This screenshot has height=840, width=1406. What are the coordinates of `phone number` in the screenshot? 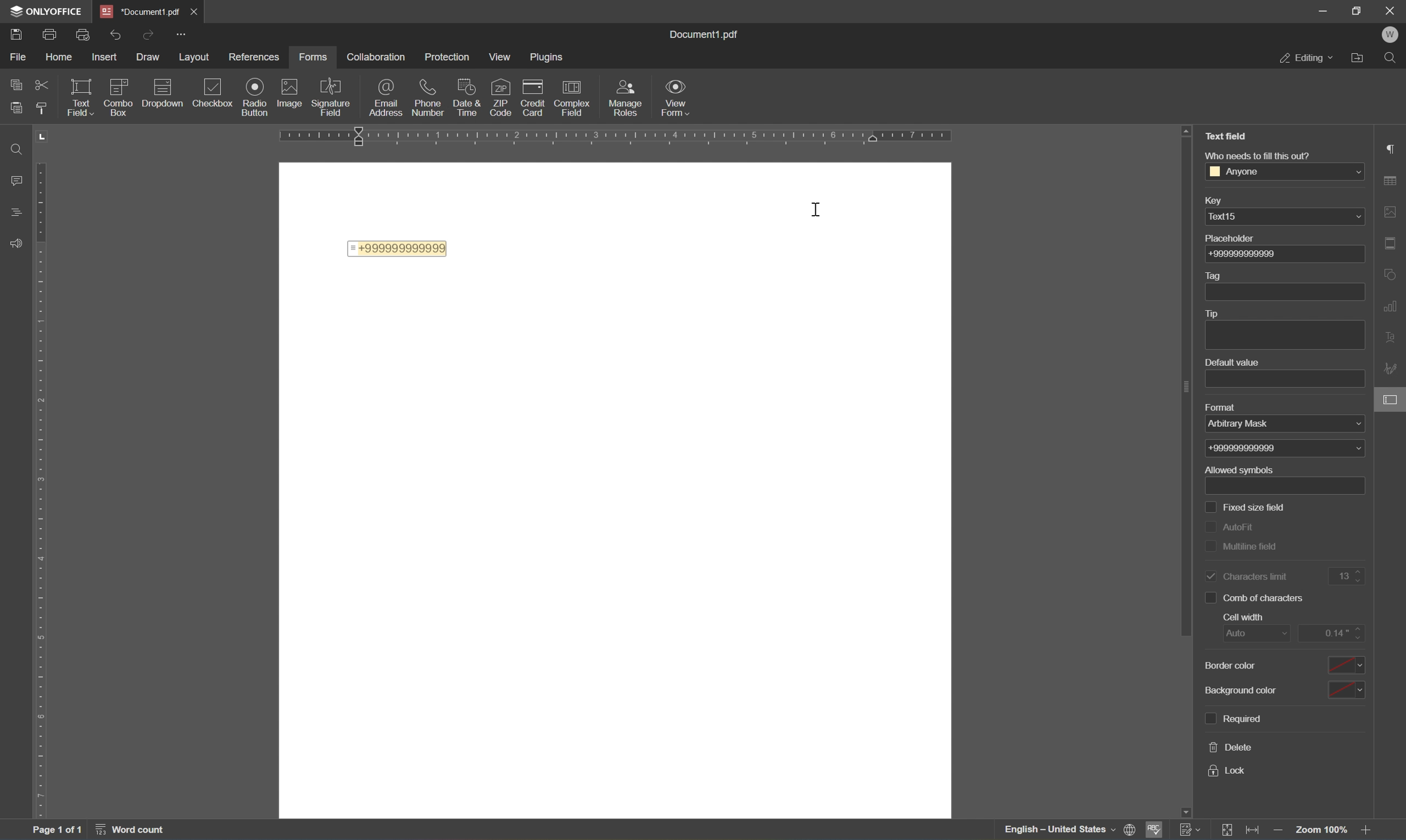 It's located at (430, 98).